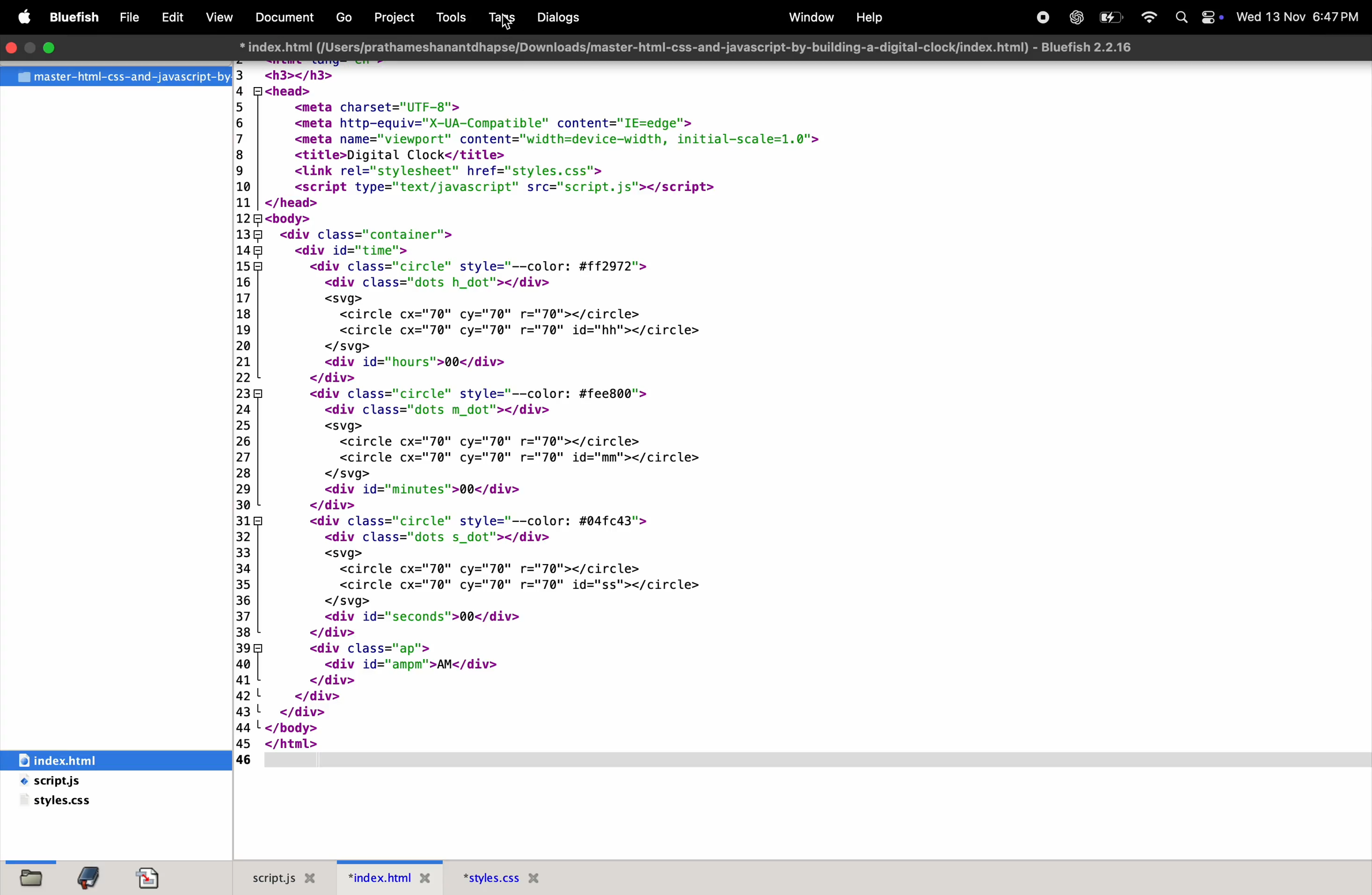  What do you see at coordinates (32, 875) in the screenshot?
I see `file browser` at bounding box center [32, 875].